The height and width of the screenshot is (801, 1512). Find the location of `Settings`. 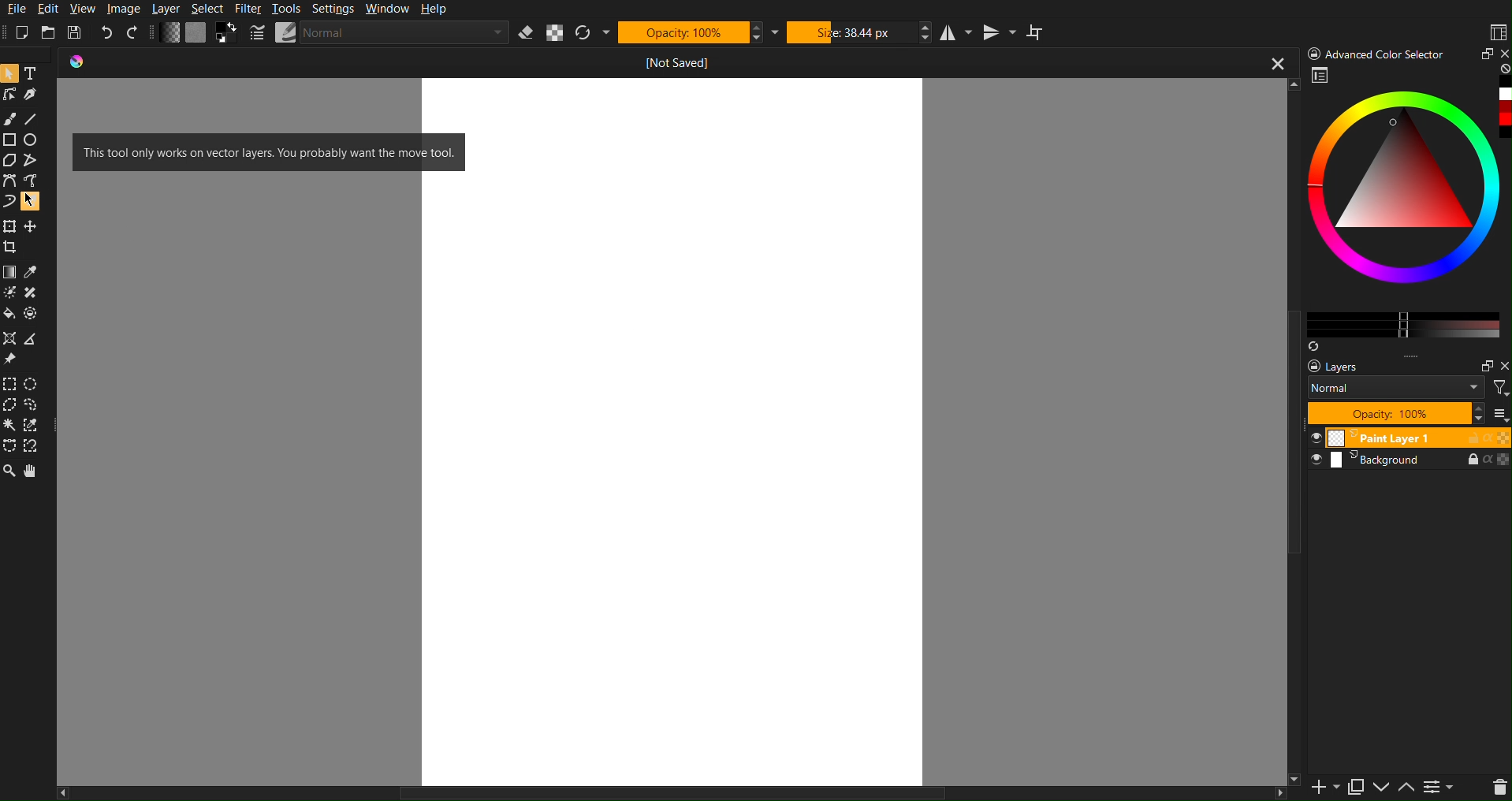

Settings is located at coordinates (337, 8).